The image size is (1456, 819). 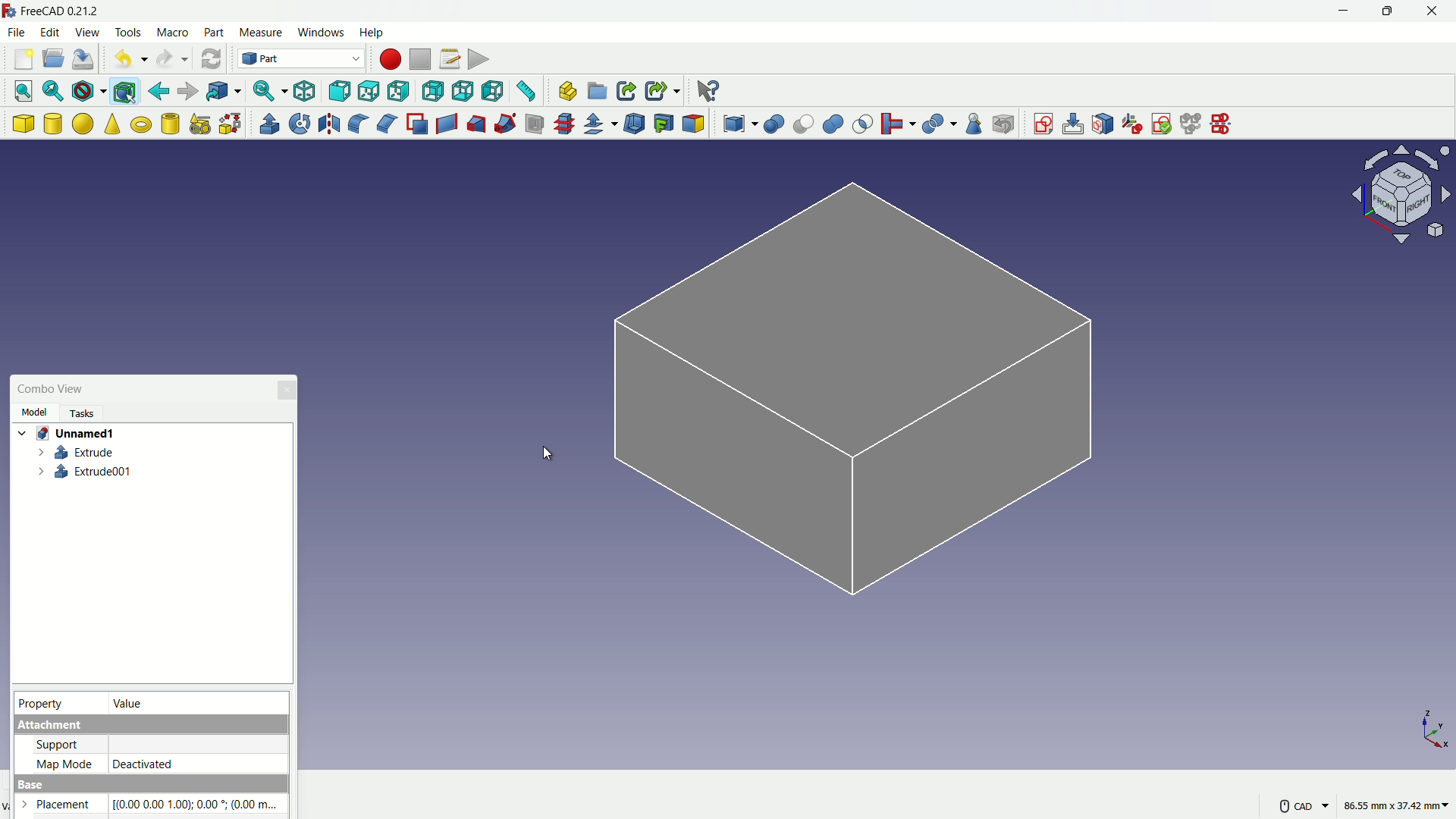 I want to click on redo, so click(x=171, y=58).